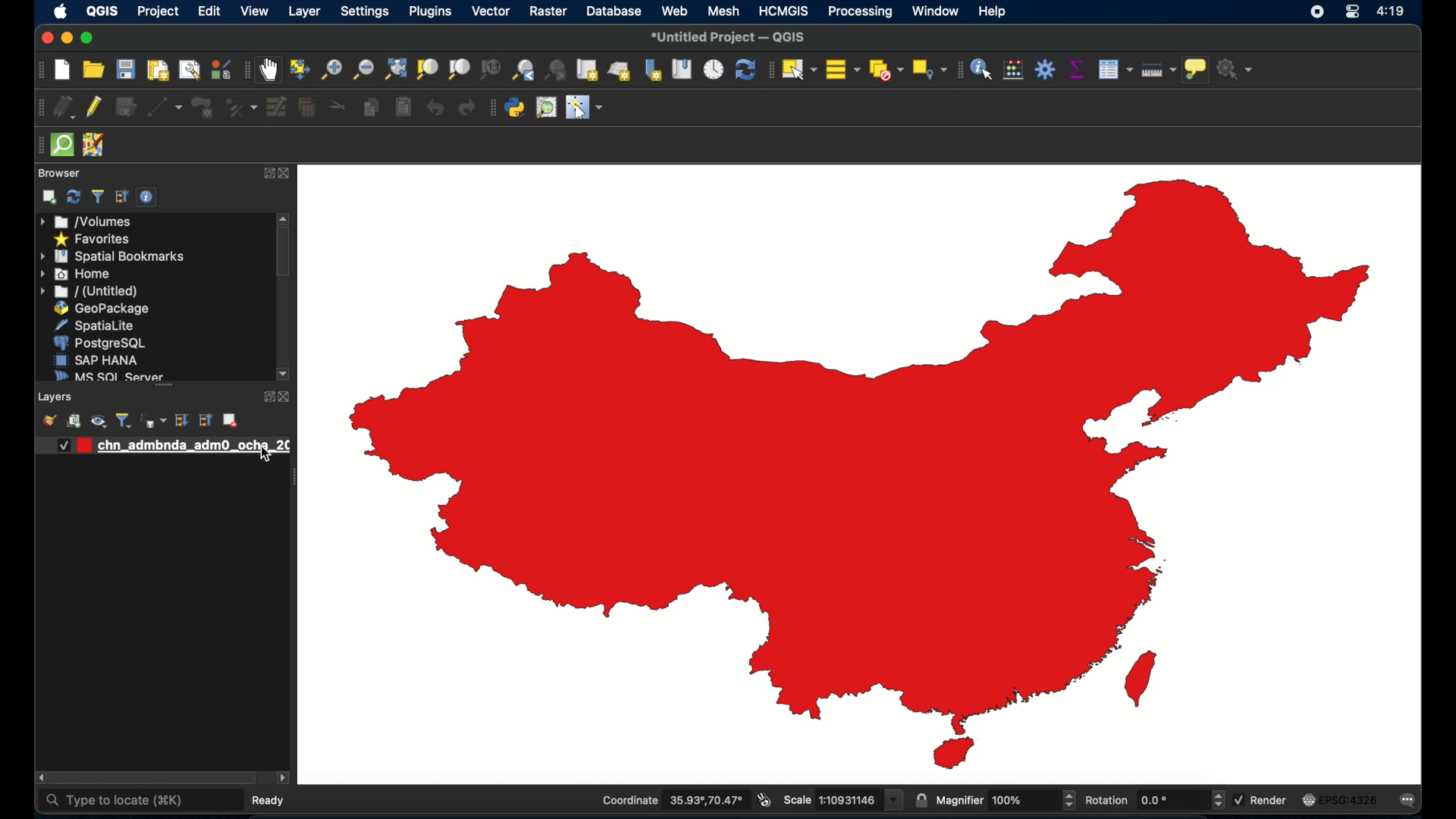  I want to click on lock scale, so click(921, 801).